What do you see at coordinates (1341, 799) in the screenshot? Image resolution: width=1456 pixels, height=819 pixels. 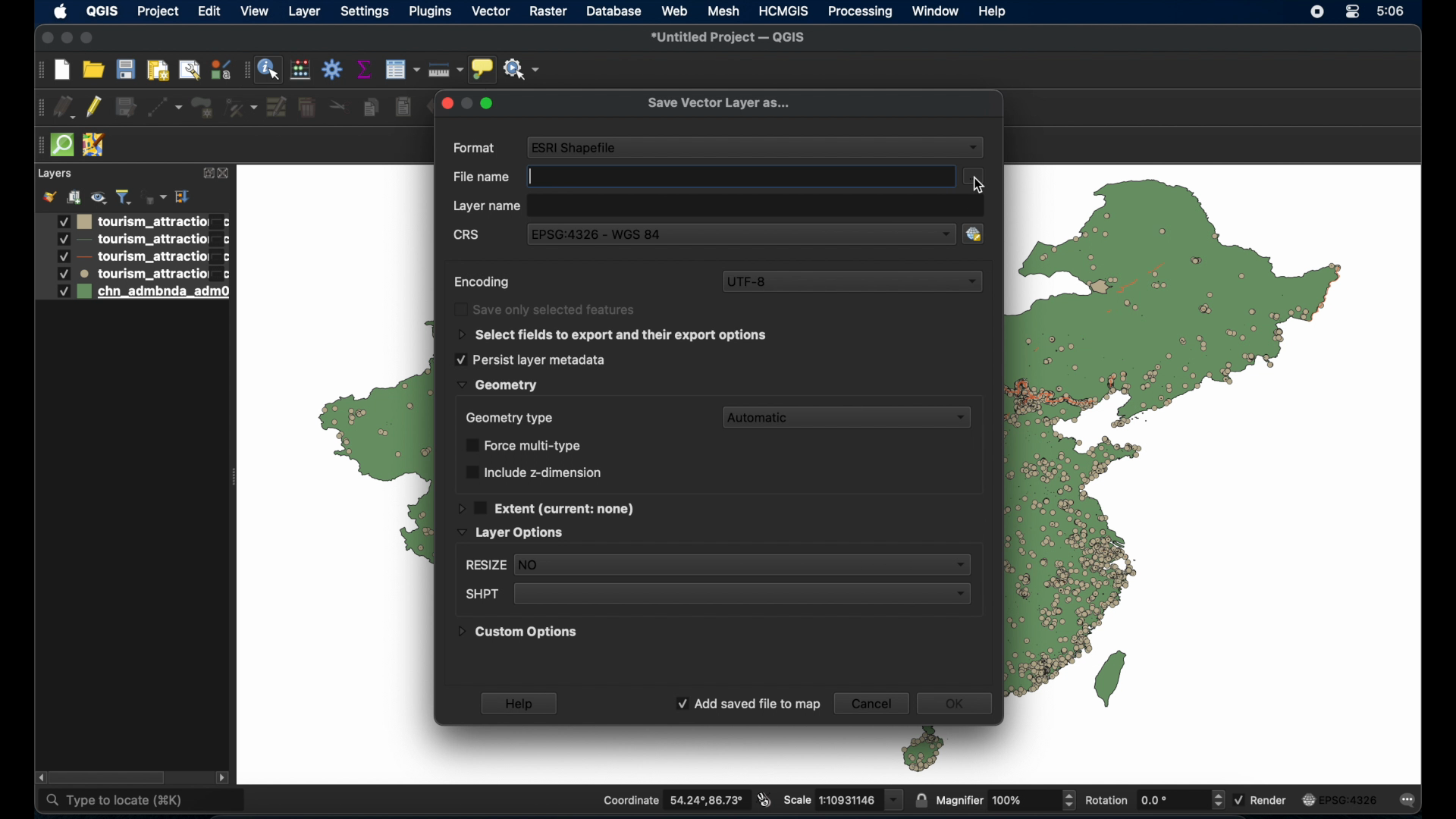 I see `current crs` at bounding box center [1341, 799].